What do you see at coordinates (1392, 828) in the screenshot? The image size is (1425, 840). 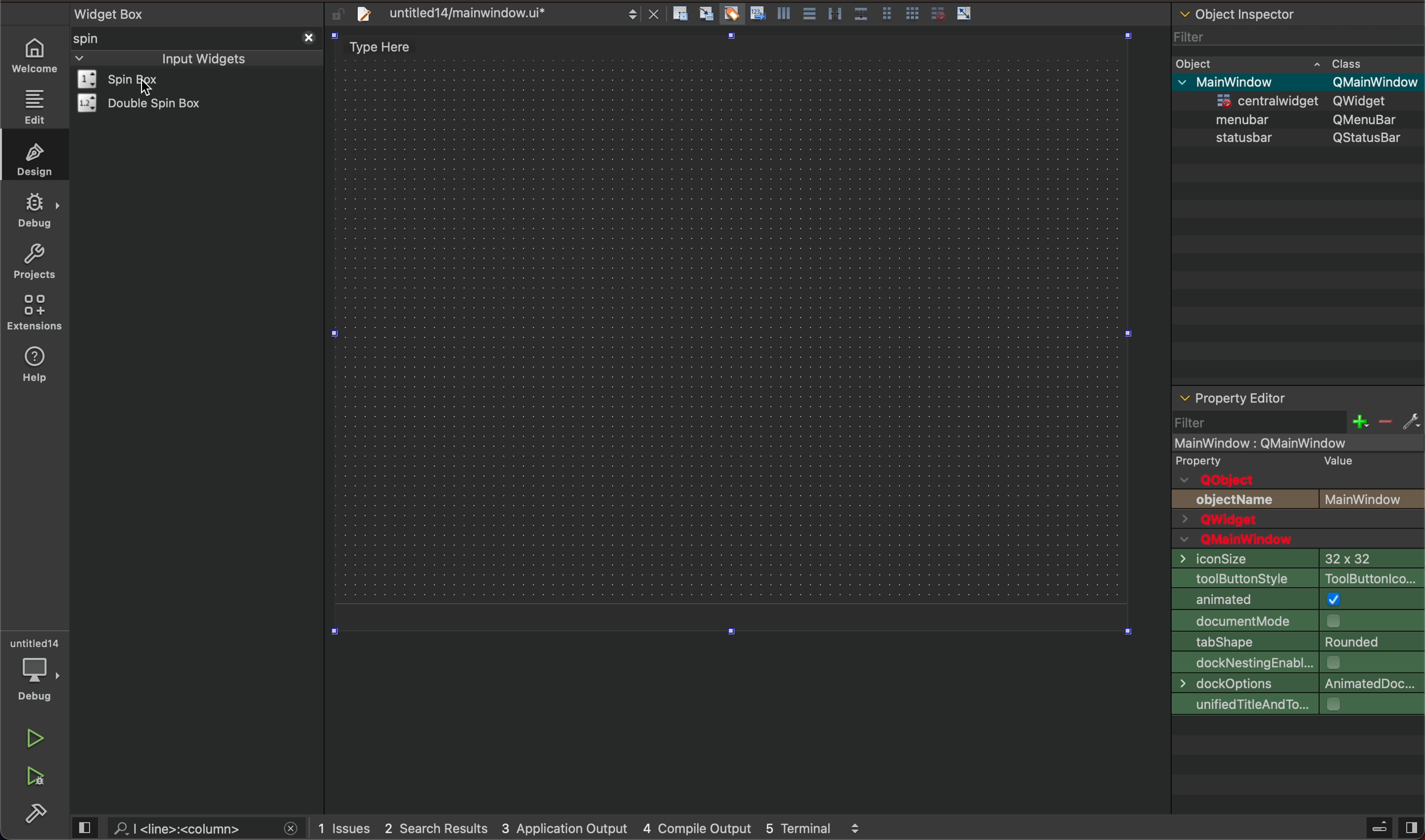 I see `close sidebar` at bounding box center [1392, 828].